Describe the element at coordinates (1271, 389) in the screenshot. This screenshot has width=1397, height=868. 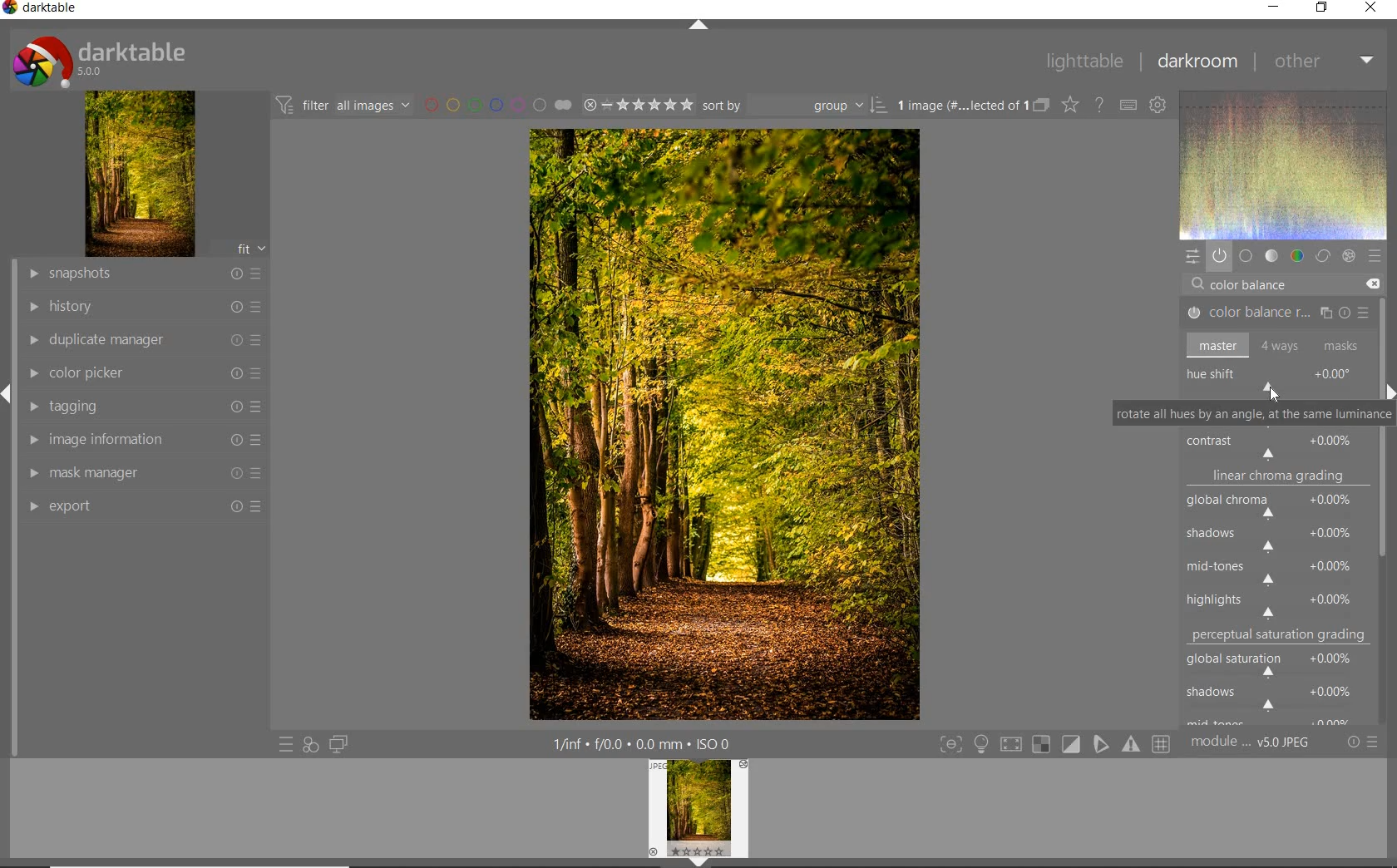
I see `CURSOR POSITION` at that location.